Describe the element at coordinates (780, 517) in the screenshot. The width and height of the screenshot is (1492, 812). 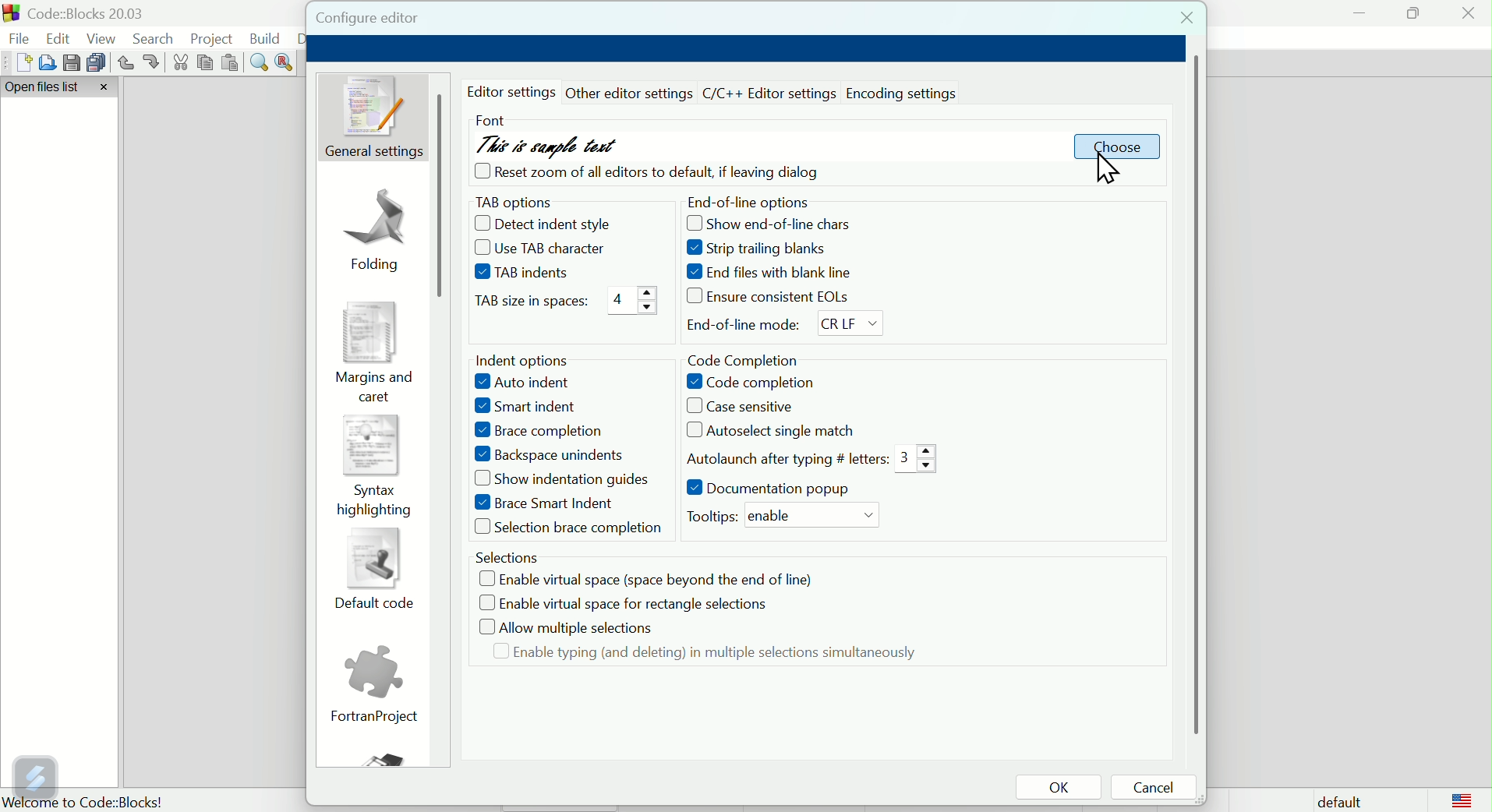
I see `Tooltips: enable` at that location.